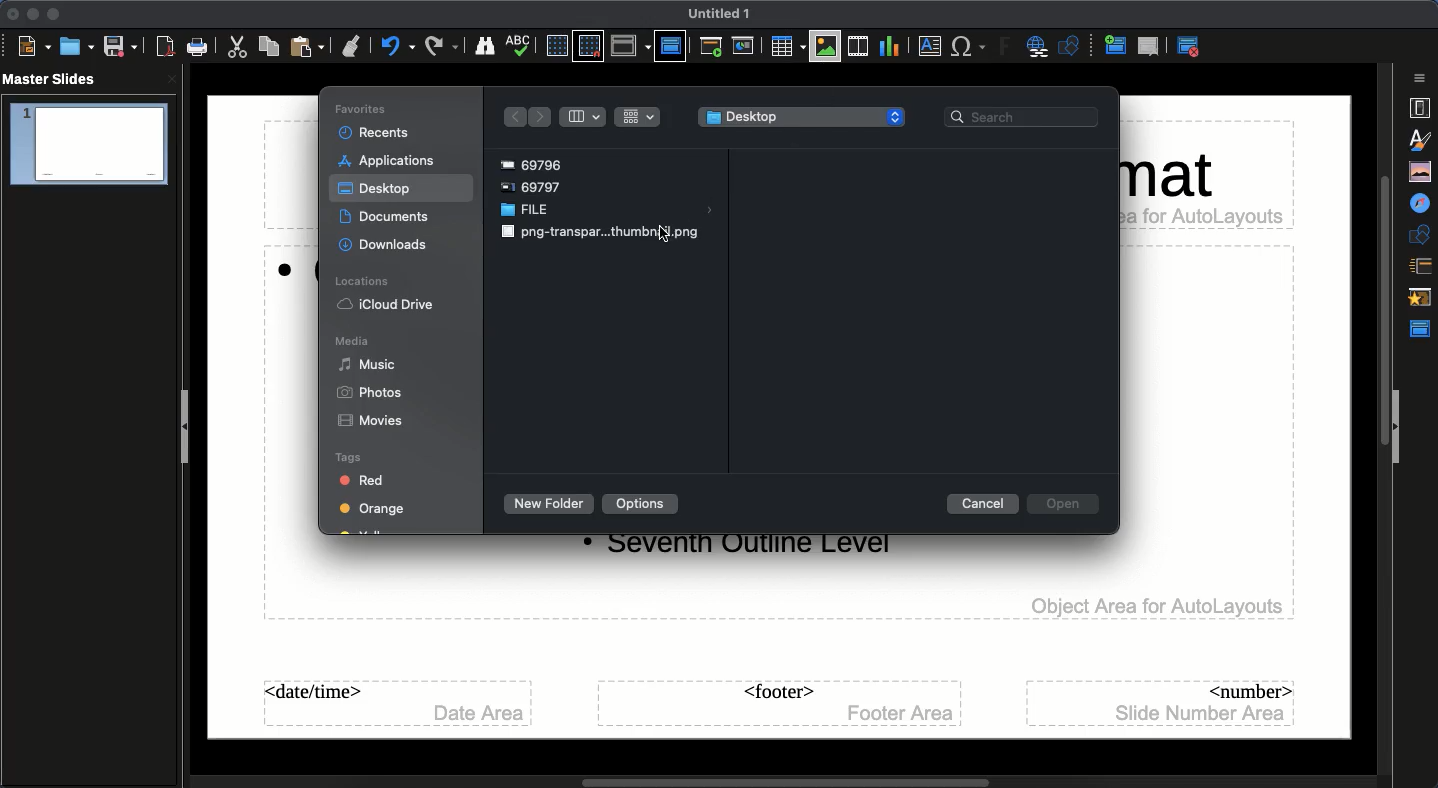 The width and height of the screenshot is (1438, 788). What do you see at coordinates (786, 46) in the screenshot?
I see `Table` at bounding box center [786, 46].